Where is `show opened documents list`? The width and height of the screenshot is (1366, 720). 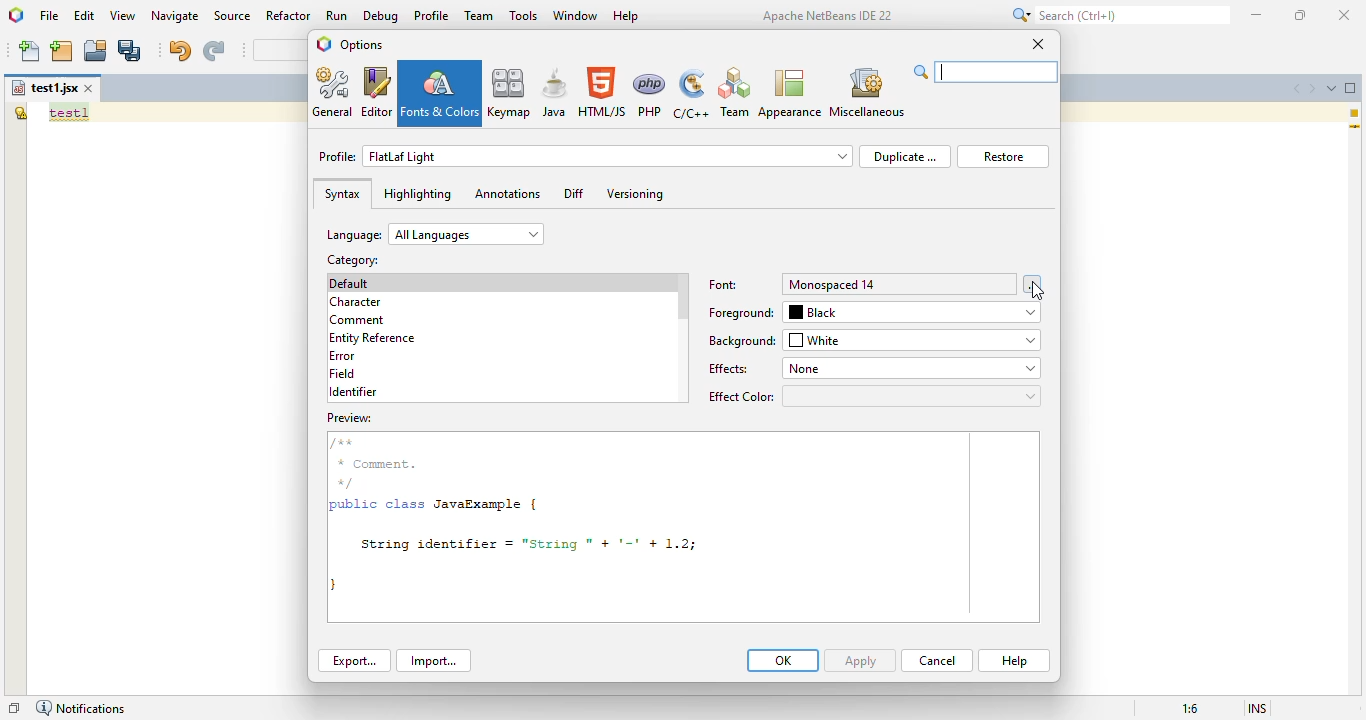 show opened documents list is located at coordinates (1332, 88).